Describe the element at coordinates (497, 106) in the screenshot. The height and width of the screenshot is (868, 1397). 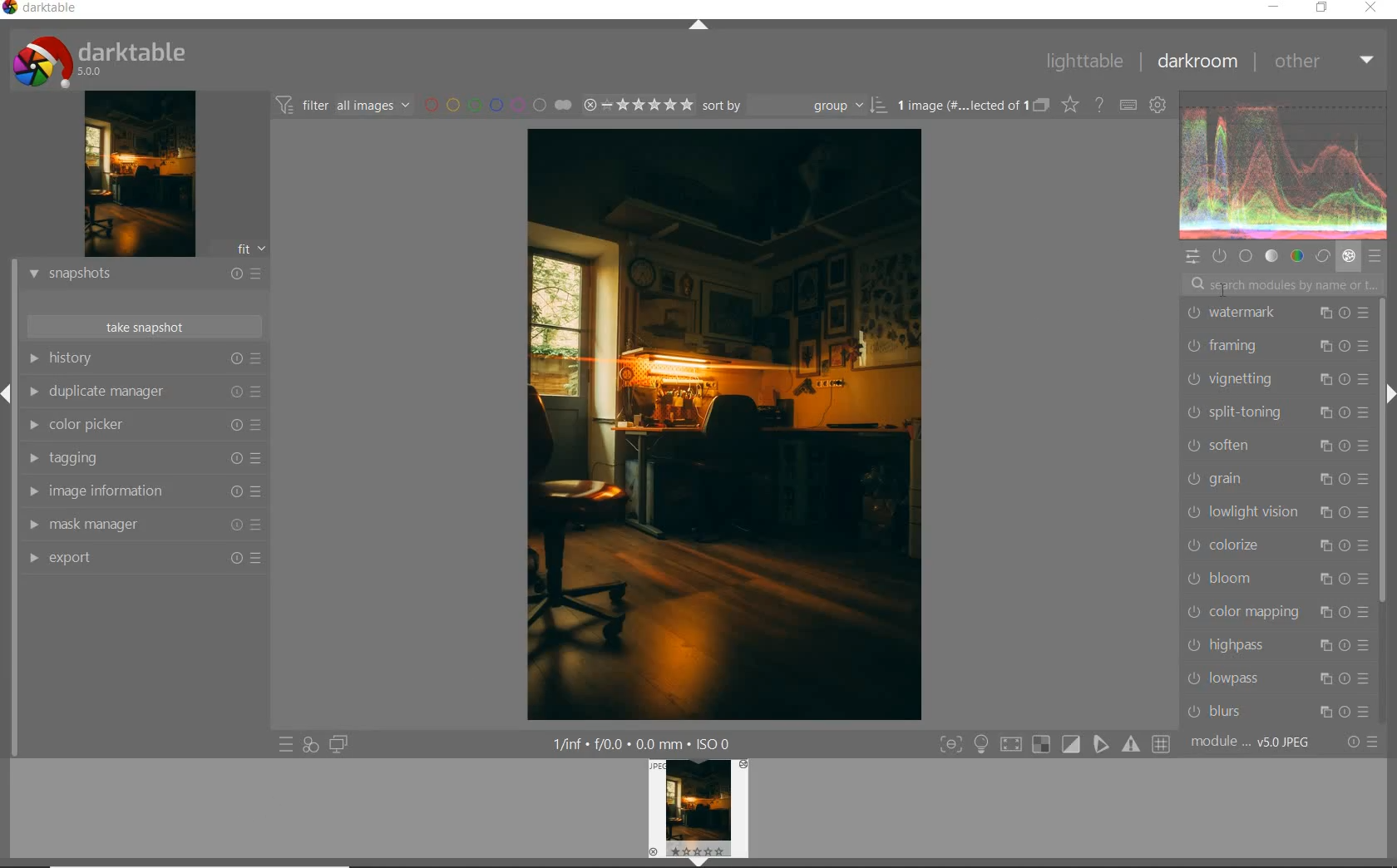
I see `filter by image color` at that location.